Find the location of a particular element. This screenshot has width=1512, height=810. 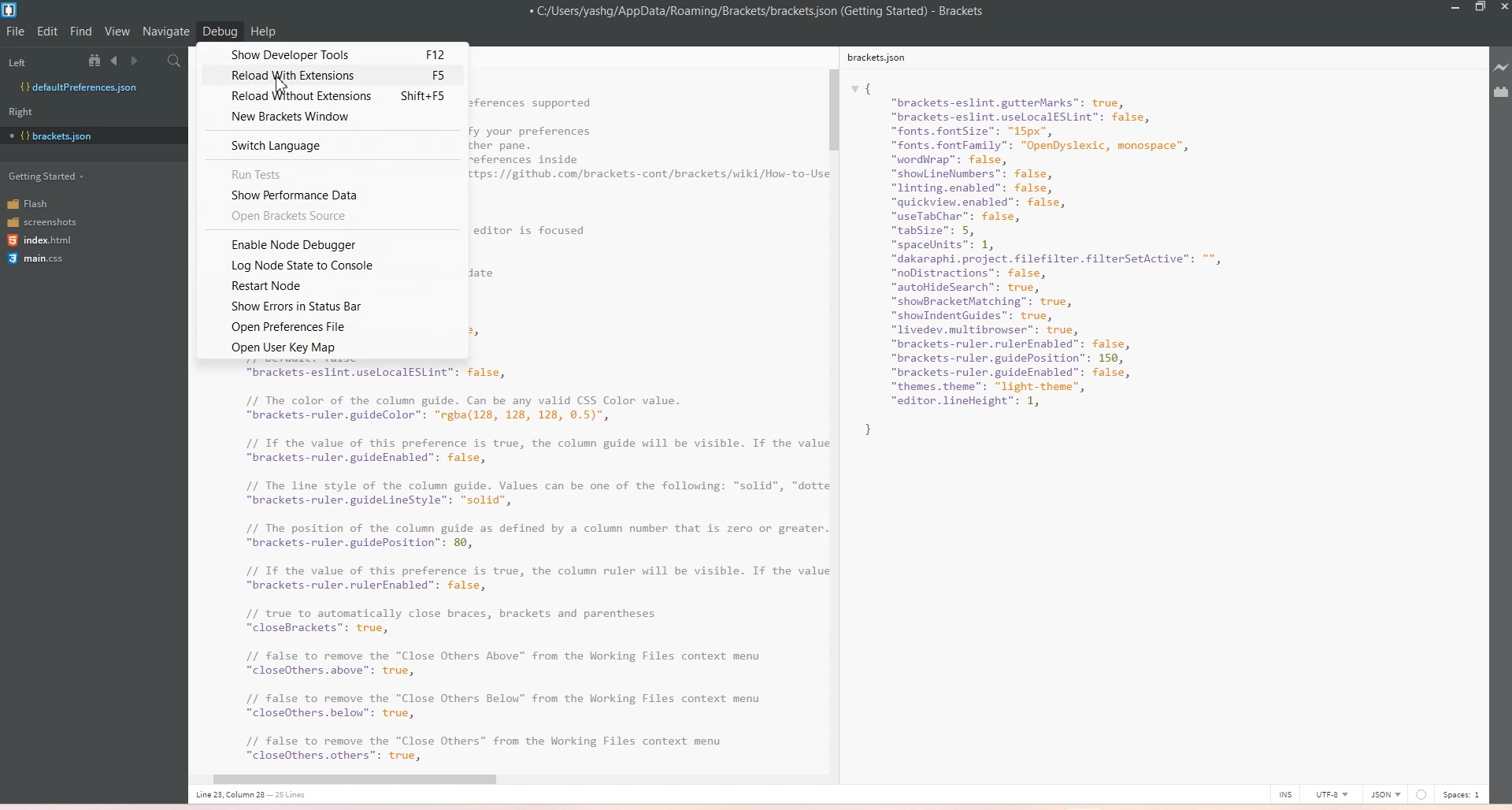

View is located at coordinates (117, 32).